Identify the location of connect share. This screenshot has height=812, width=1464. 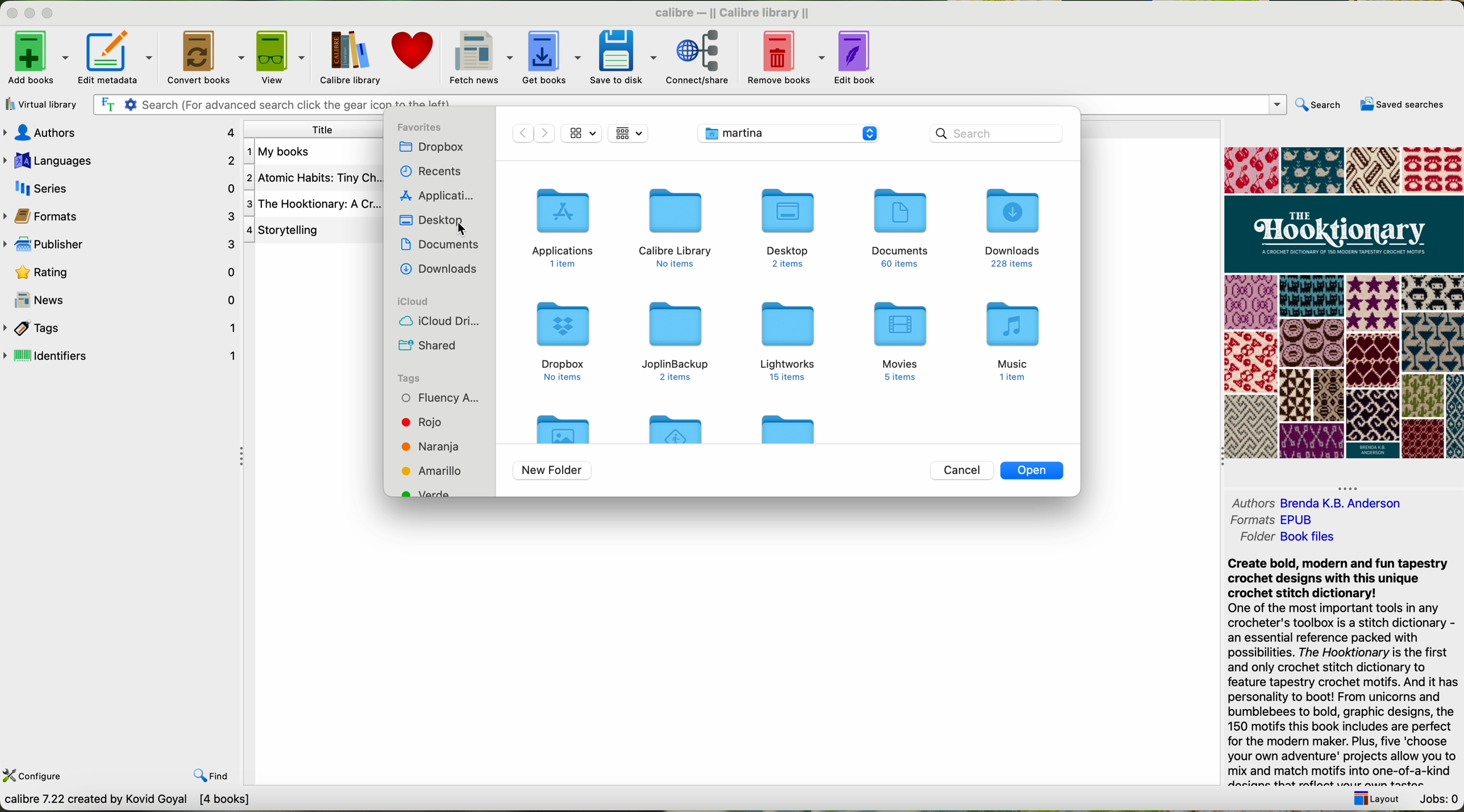
(704, 58).